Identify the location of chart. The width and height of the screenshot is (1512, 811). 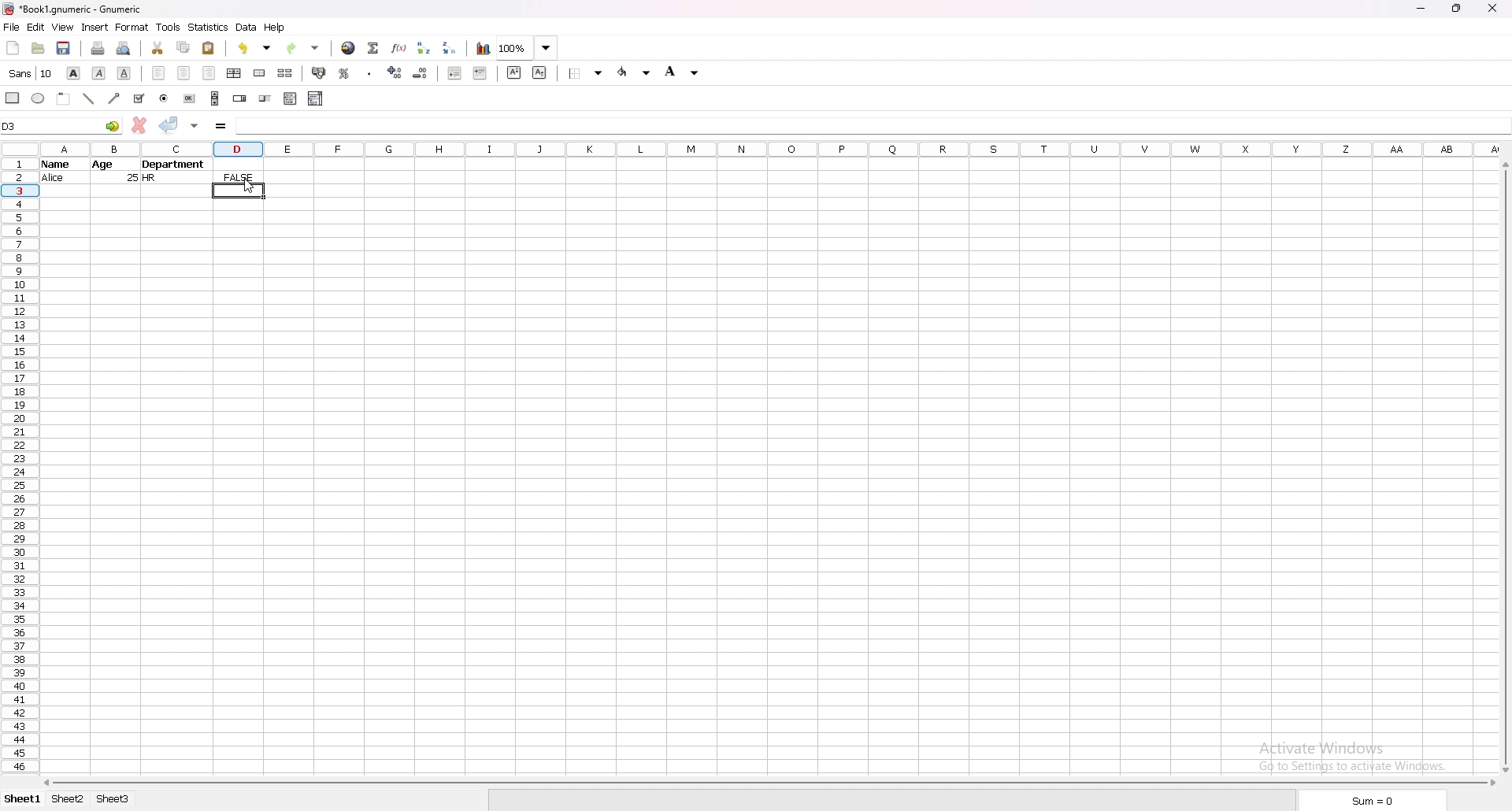
(484, 47).